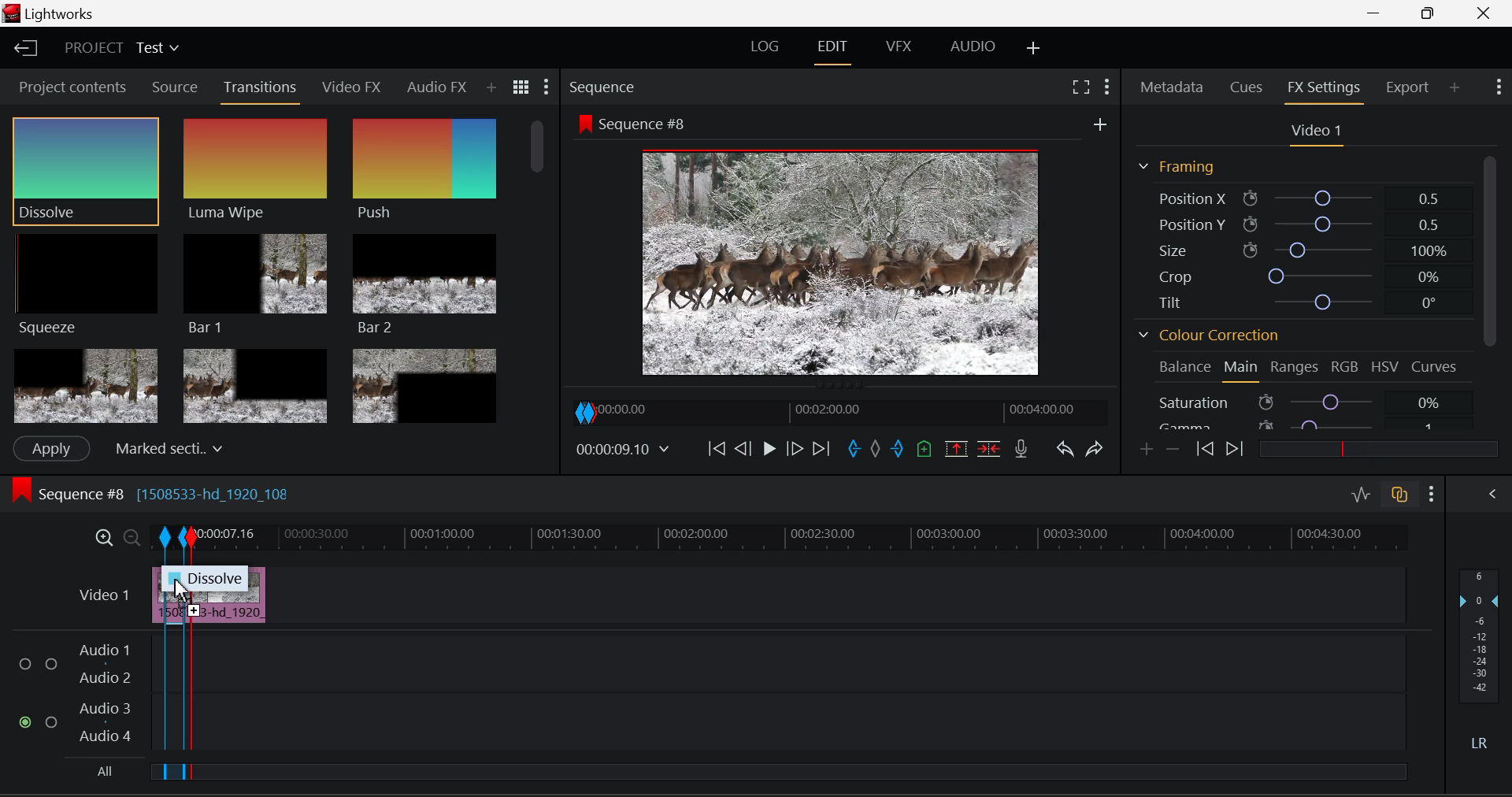  I want to click on EDIT Layout Open, so click(832, 50).